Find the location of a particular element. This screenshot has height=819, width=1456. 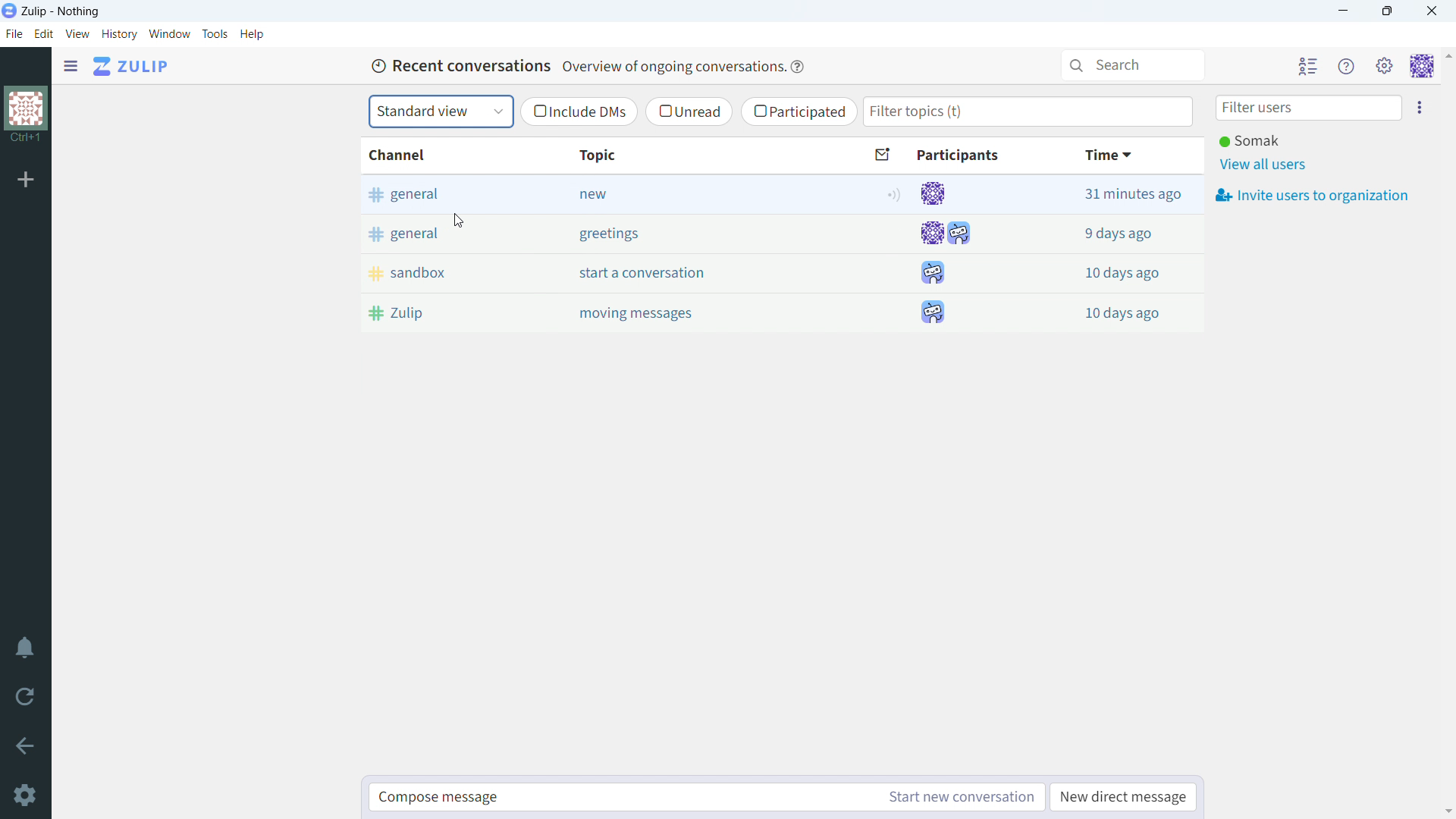

enable do not disturb is located at coordinates (27, 648).